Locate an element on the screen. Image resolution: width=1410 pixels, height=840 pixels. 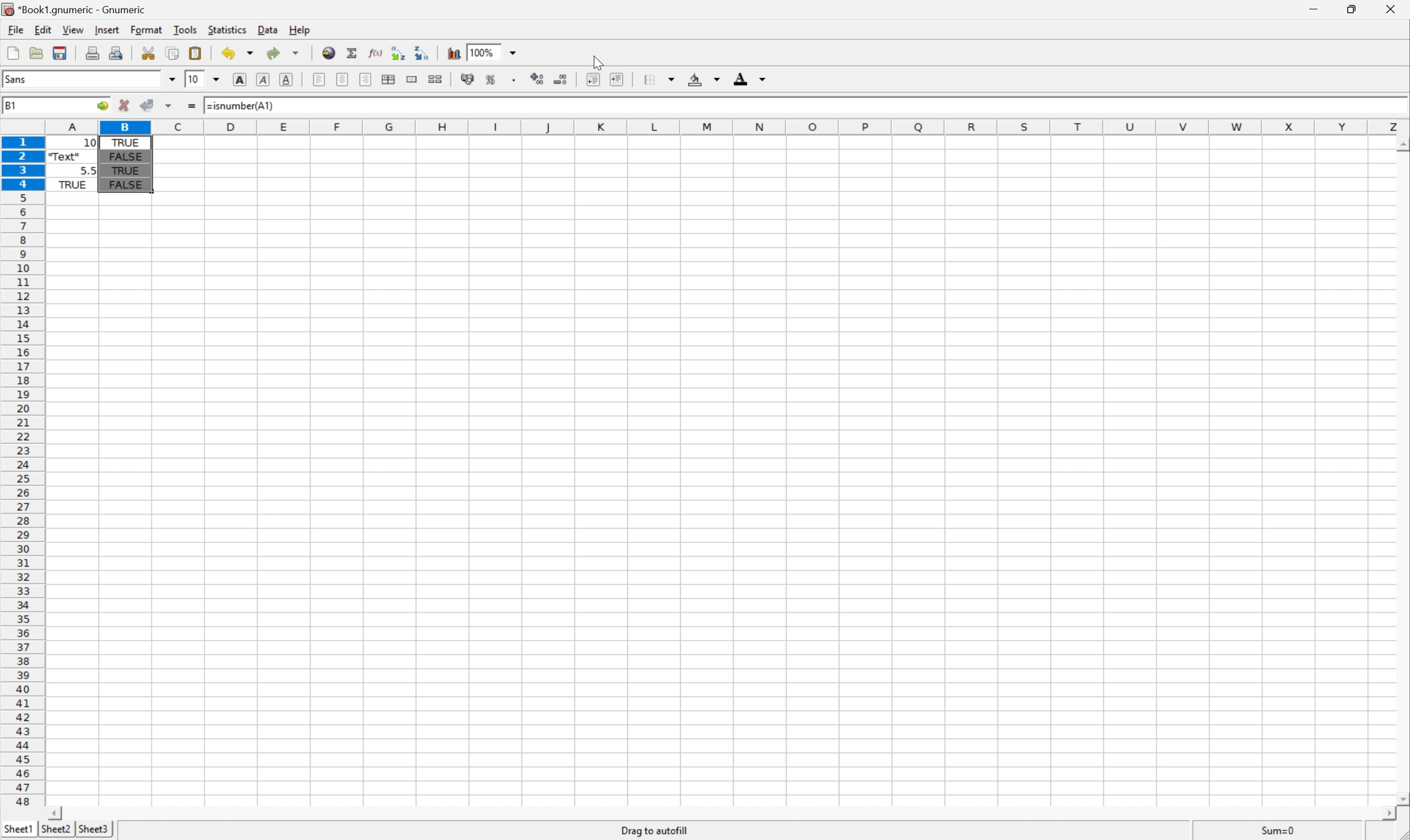
File is located at coordinates (14, 28).